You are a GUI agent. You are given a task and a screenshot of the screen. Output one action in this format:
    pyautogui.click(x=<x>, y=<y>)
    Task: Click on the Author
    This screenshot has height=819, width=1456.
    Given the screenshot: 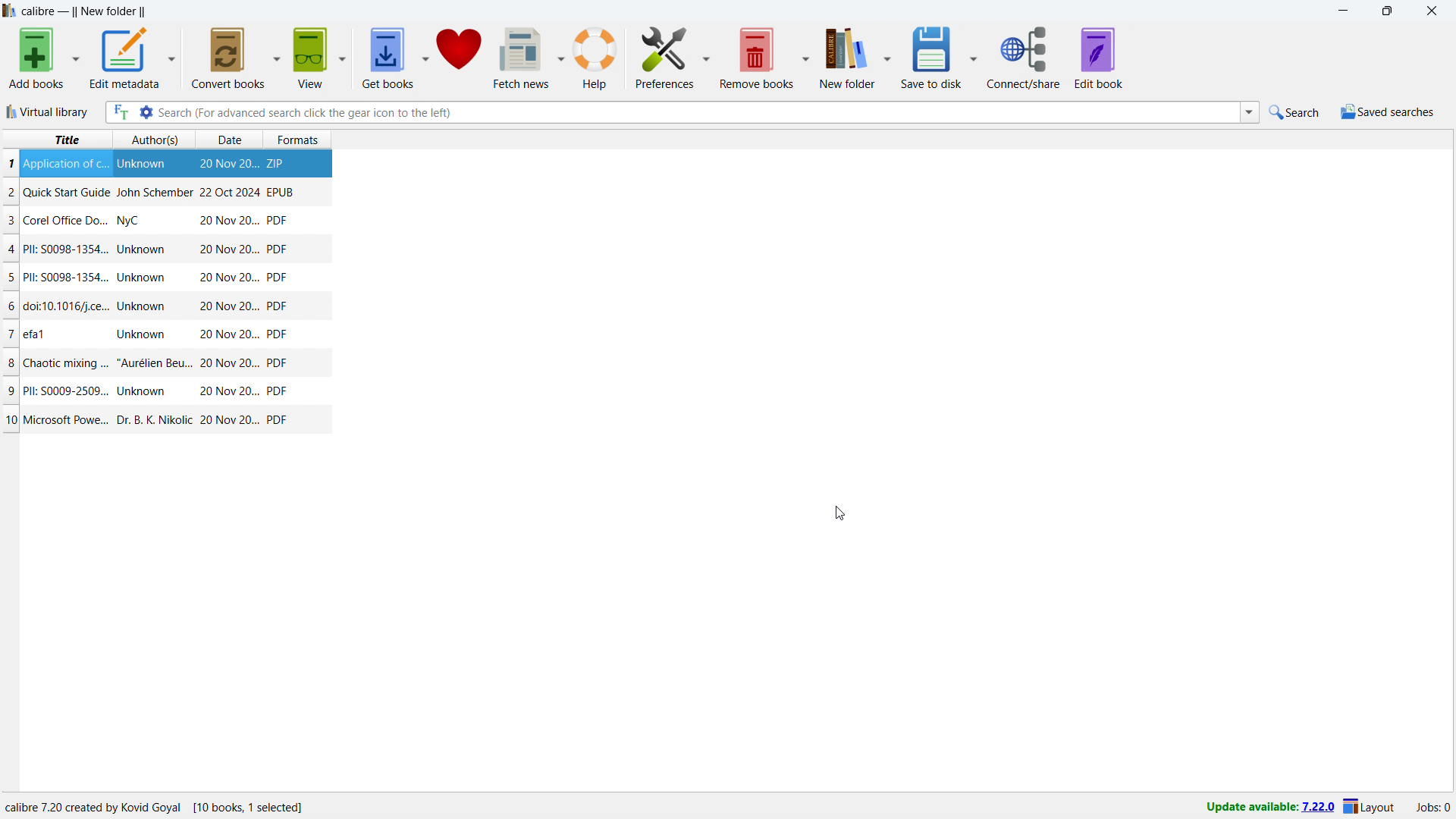 What is the action you would take?
    pyautogui.click(x=140, y=165)
    